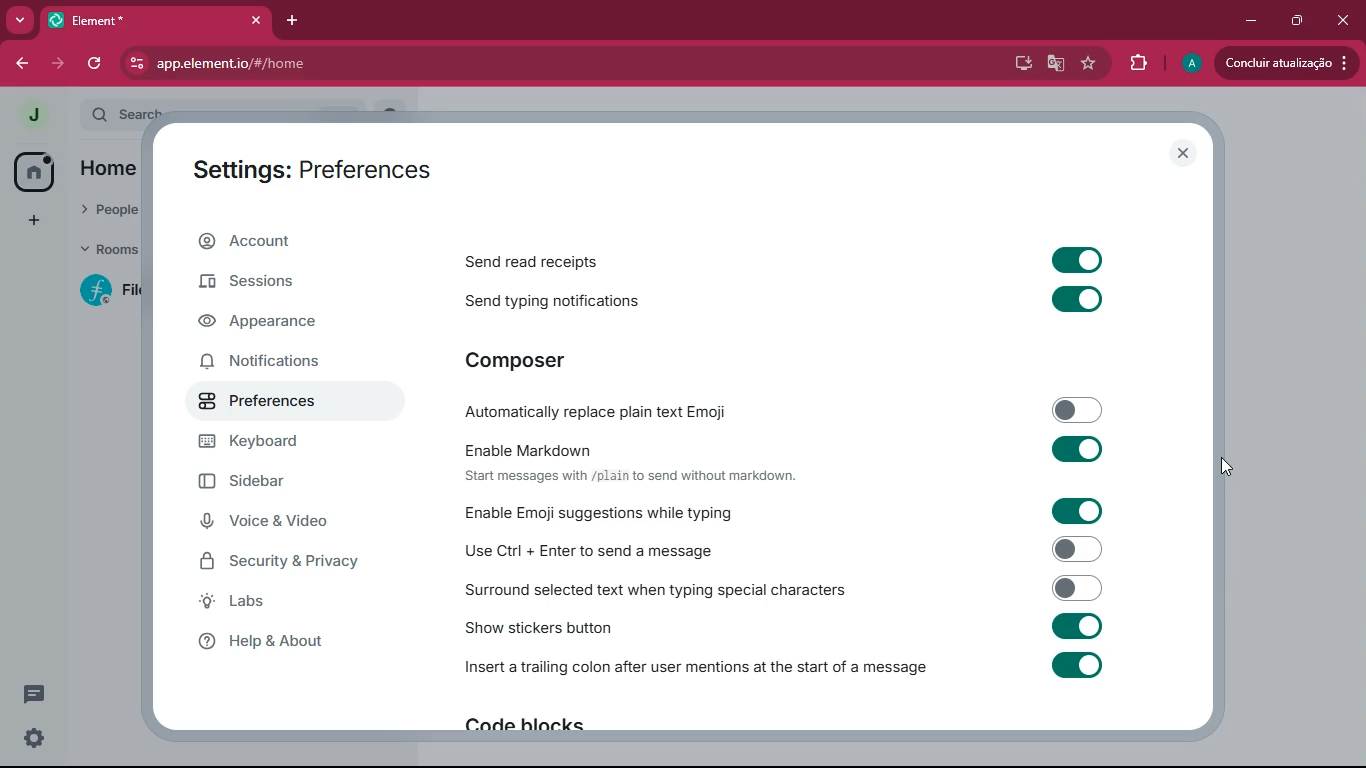 Image resolution: width=1366 pixels, height=768 pixels. Describe the element at coordinates (323, 165) in the screenshot. I see `settings:preferences` at that location.